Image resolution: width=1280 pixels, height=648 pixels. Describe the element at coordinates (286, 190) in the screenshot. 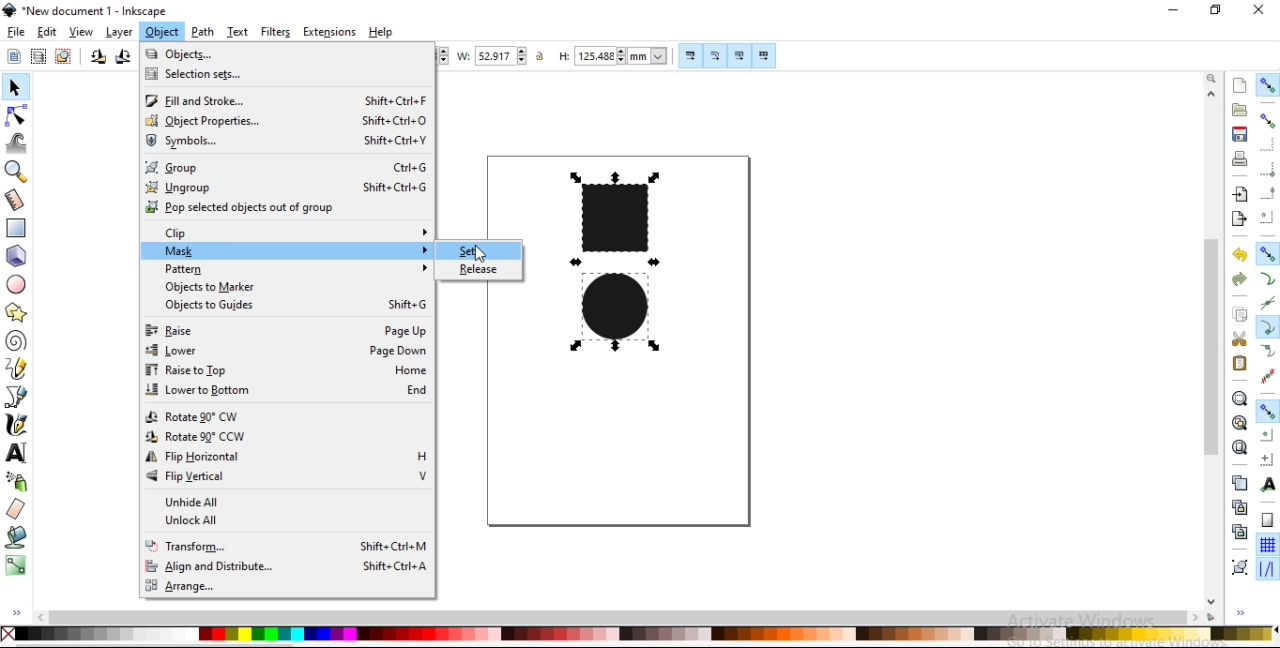

I see `ungroup` at that location.